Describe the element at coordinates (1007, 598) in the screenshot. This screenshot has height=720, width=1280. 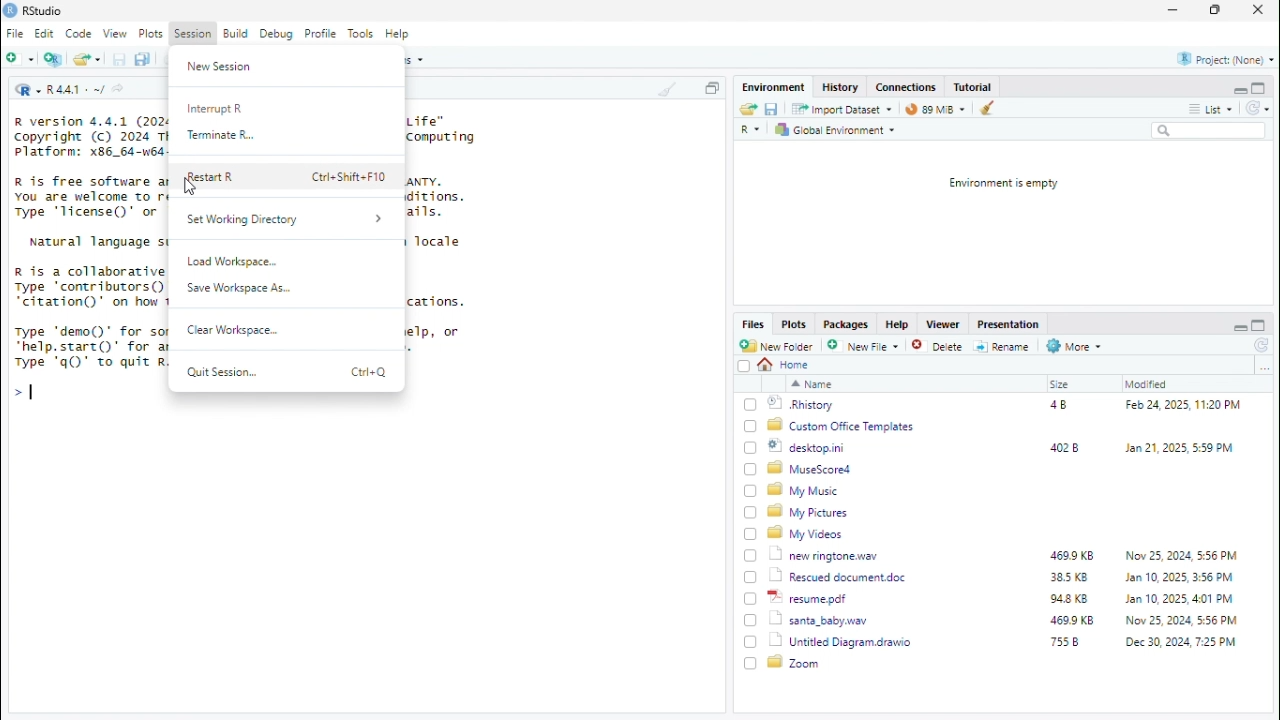
I see `resme.pdf 94.8KB Jan 10, 2025, 401 PM` at that location.